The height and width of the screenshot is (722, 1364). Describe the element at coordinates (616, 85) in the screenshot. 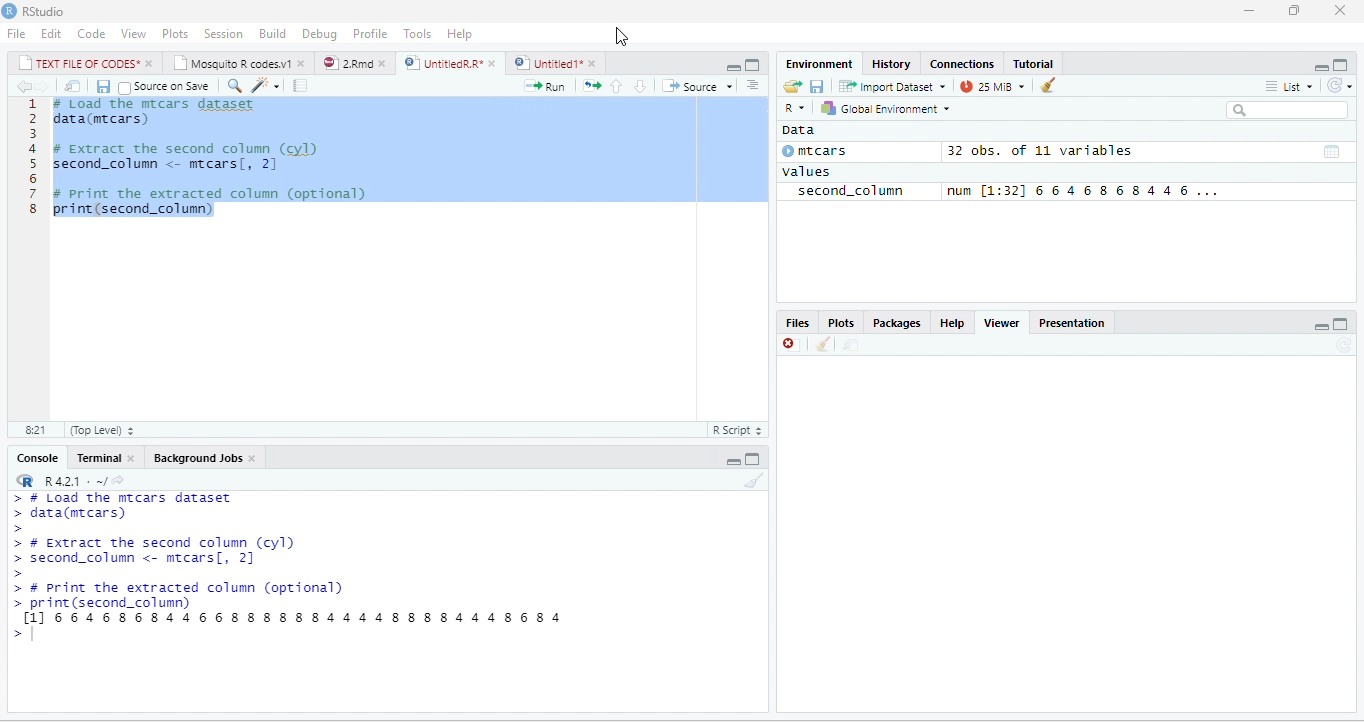

I see `go to previous section/chunk` at that location.